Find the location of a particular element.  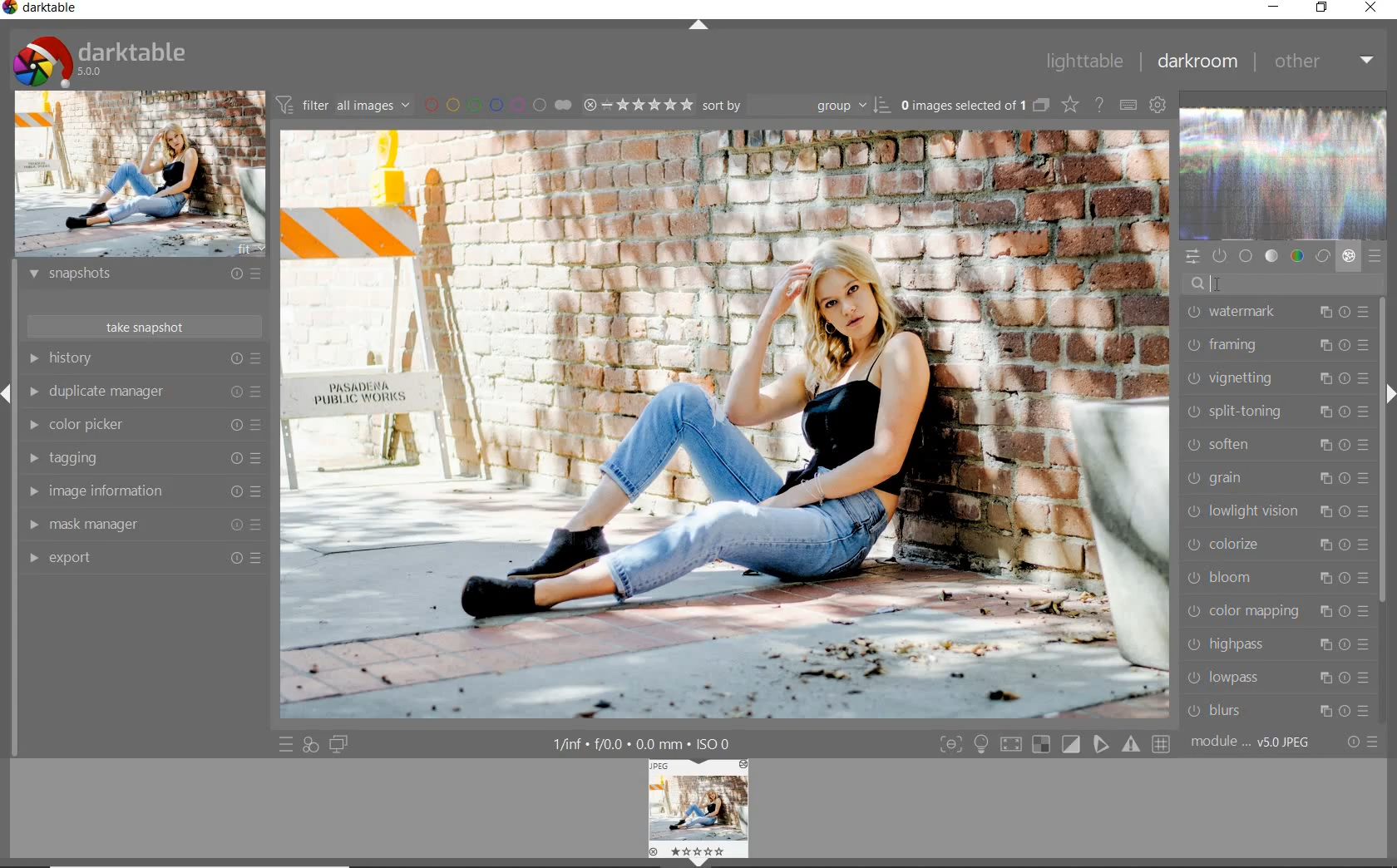

darkroom is located at coordinates (1197, 62).